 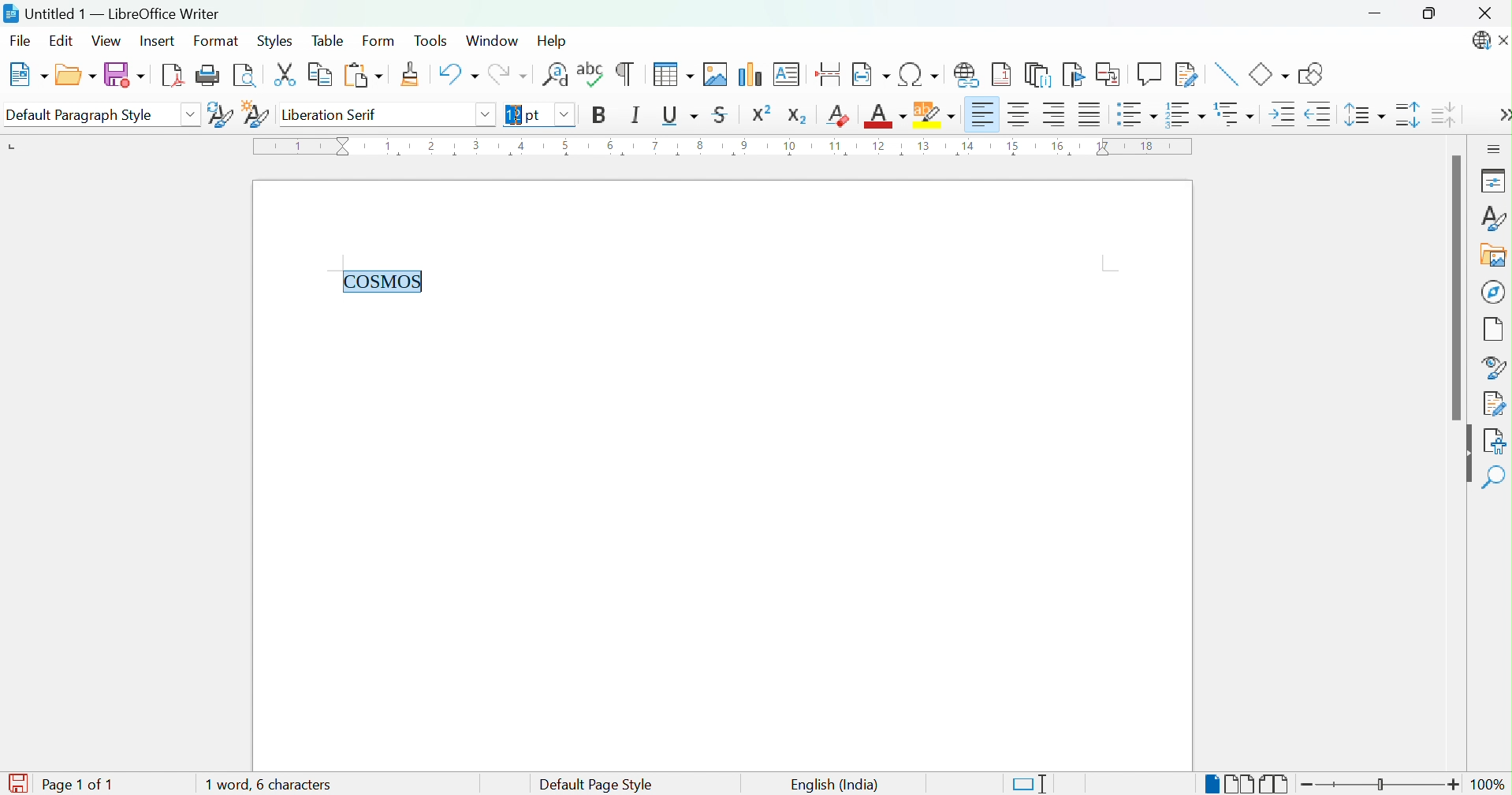 I want to click on Italic, so click(x=635, y=114).